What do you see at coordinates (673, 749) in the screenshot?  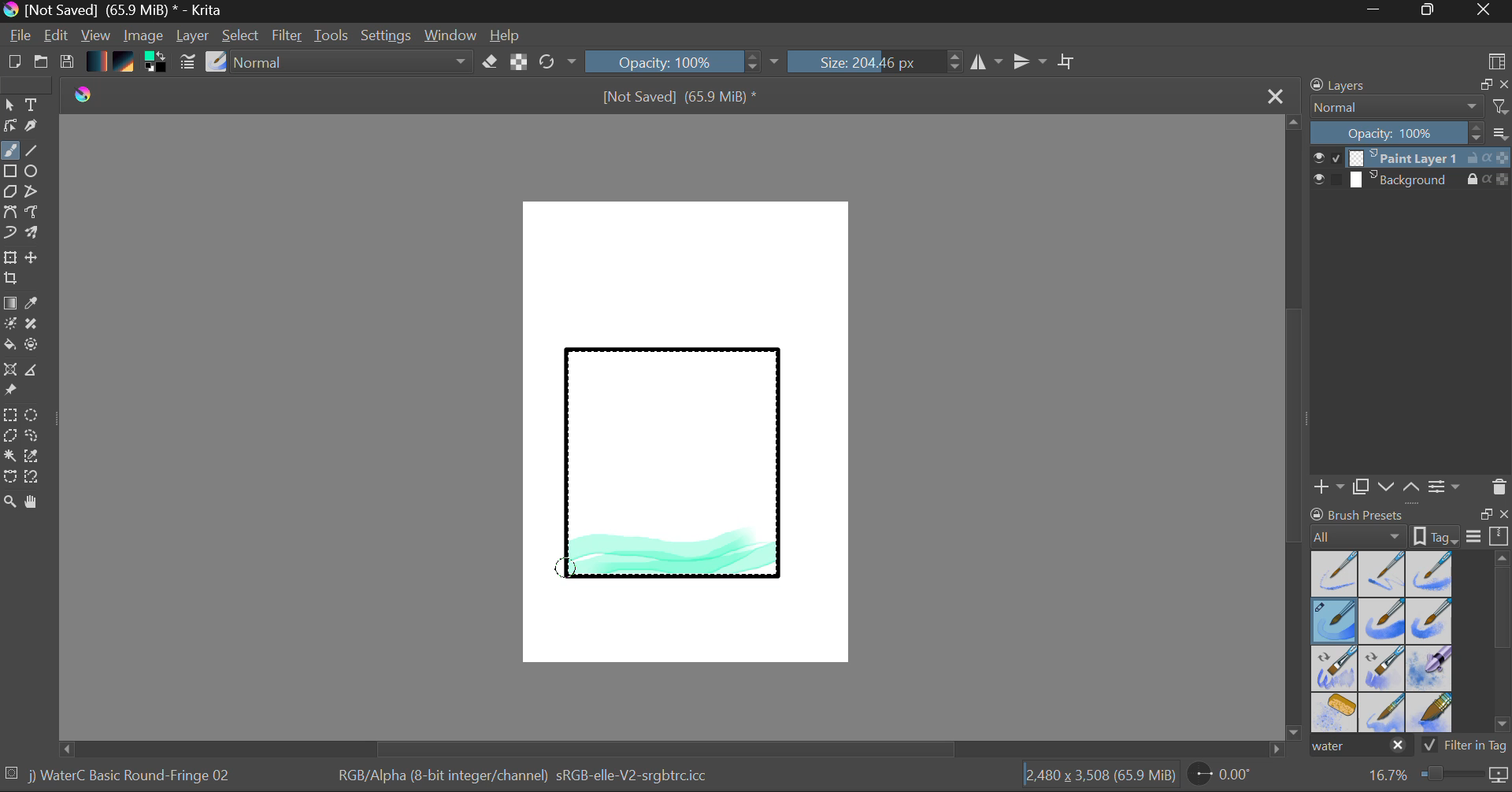 I see `Scroll Bar` at bounding box center [673, 749].